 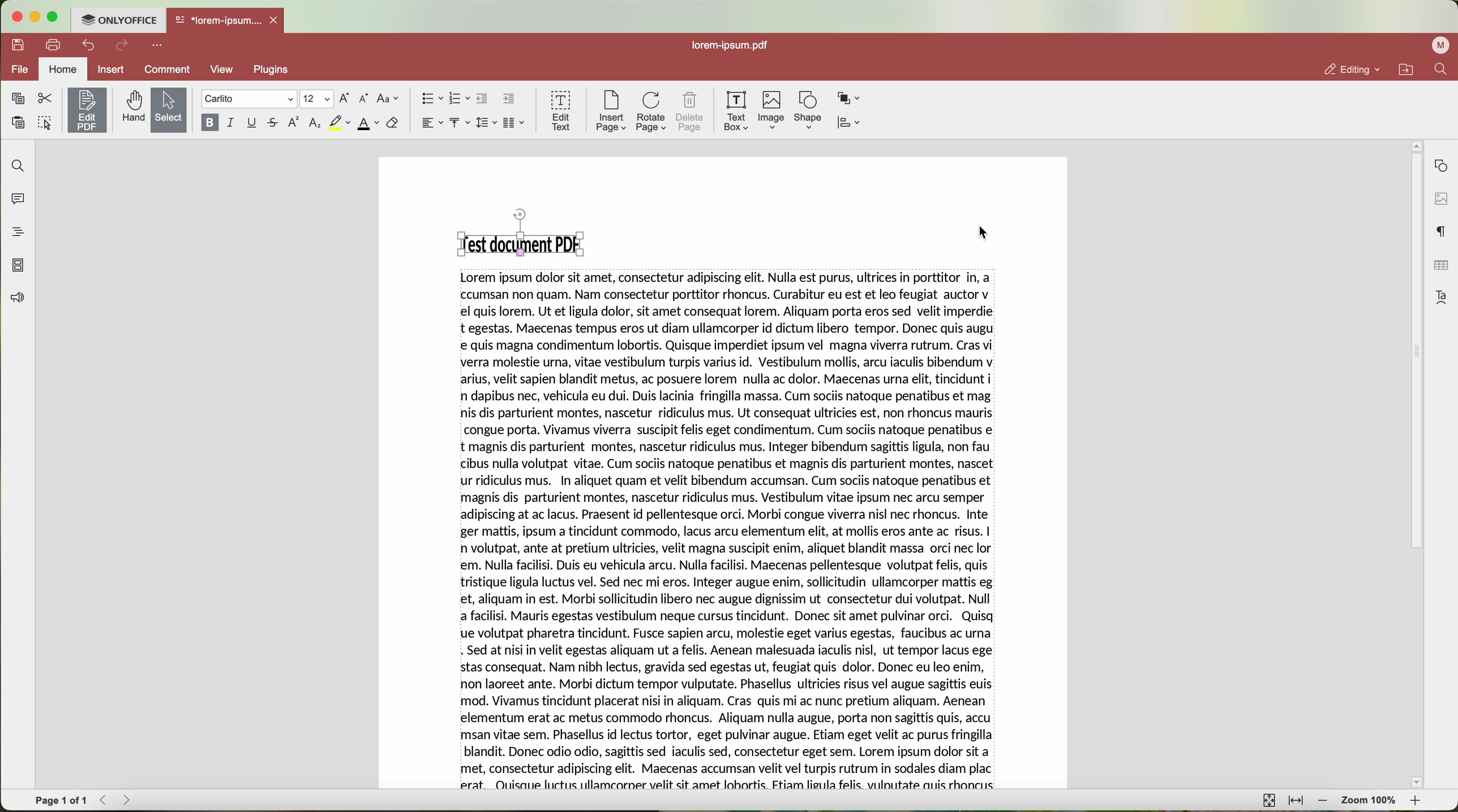 I want to click on find, so click(x=1443, y=70).